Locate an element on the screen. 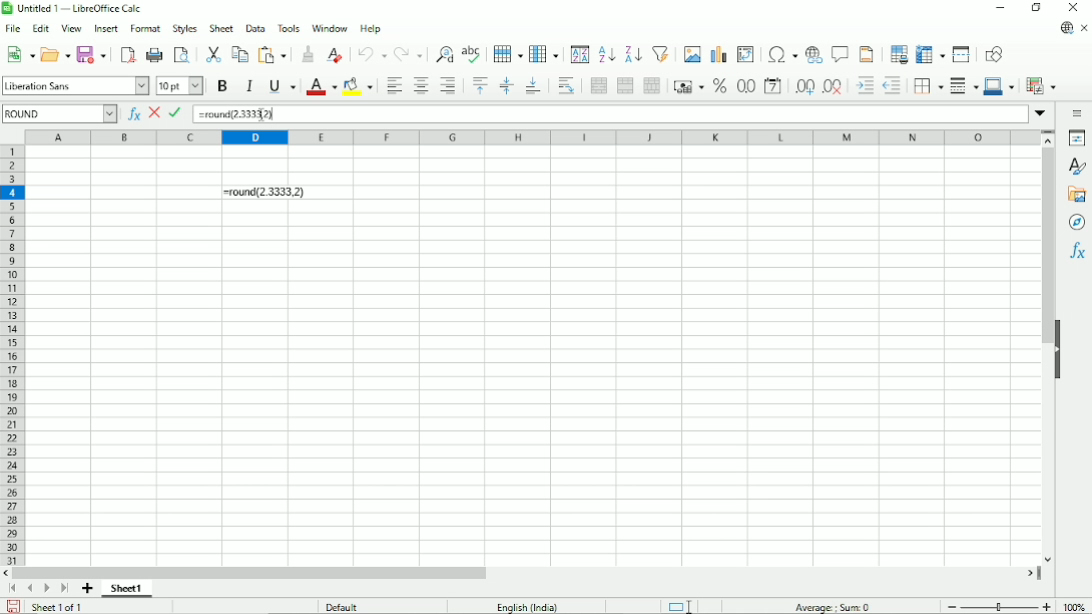 This screenshot has height=614, width=1092. Sheet 1 of 1 is located at coordinates (57, 606).